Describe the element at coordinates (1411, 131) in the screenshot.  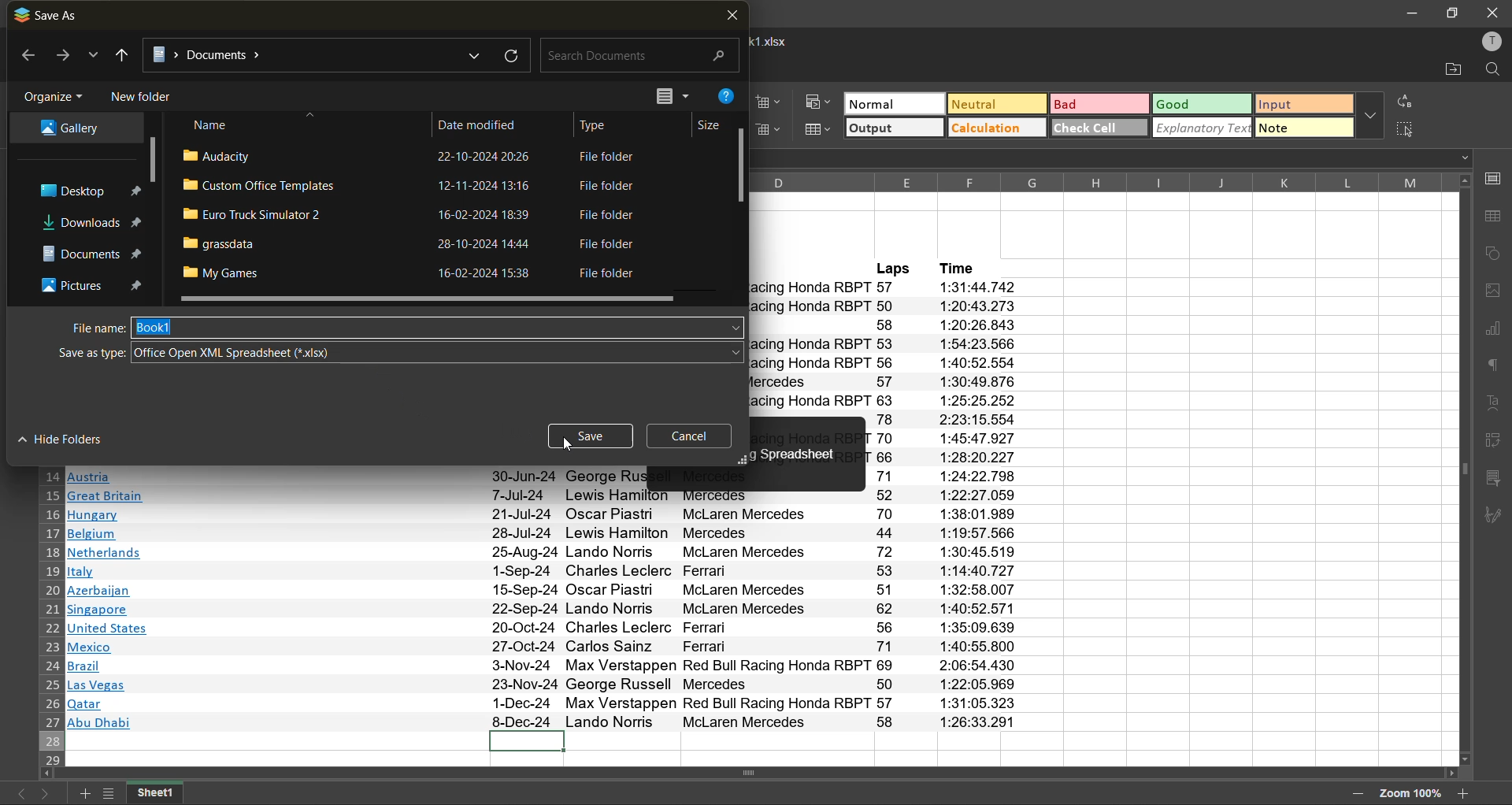
I see `select all` at that location.